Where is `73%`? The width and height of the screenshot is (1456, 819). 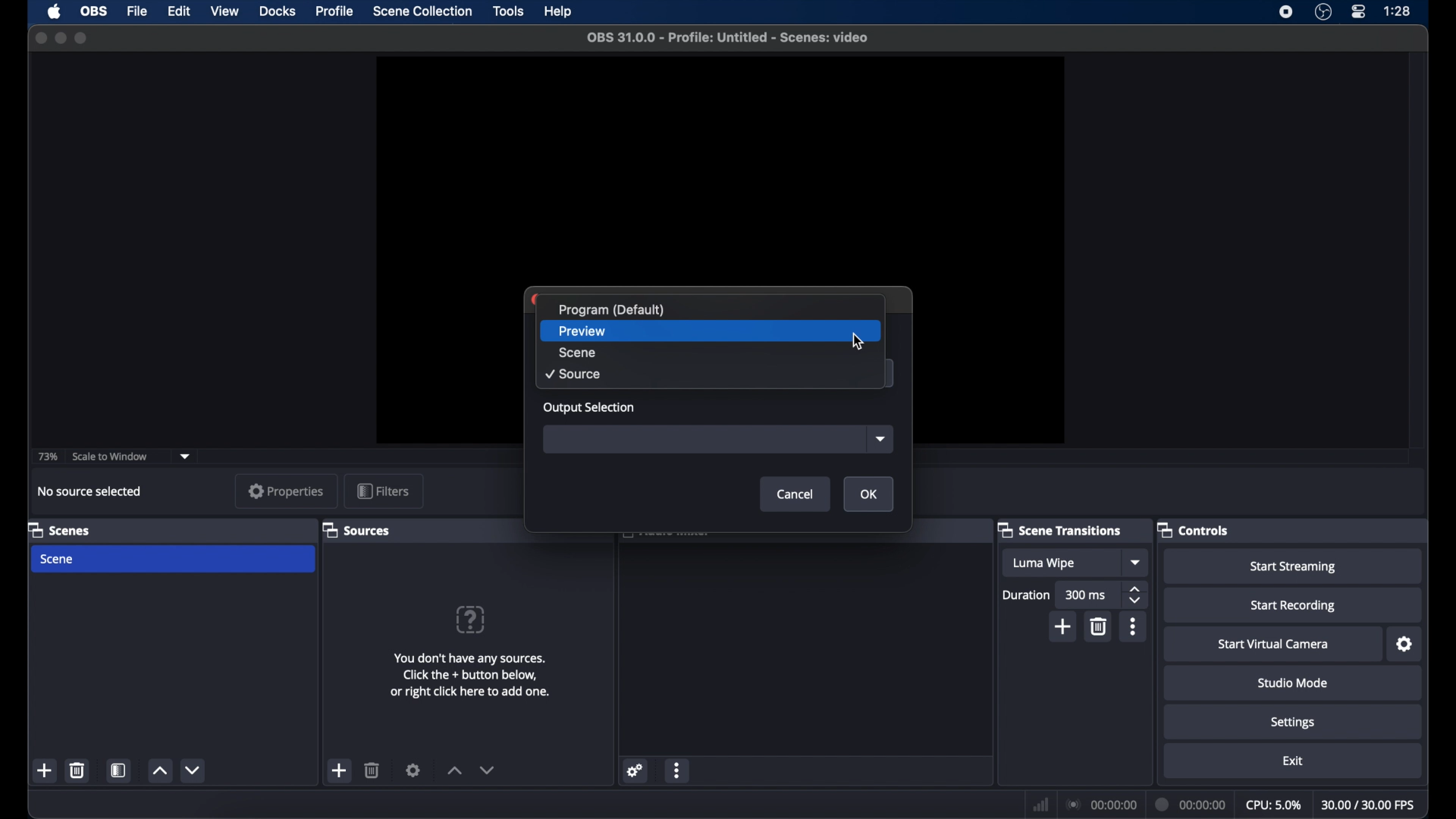
73% is located at coordinates (49, 456).